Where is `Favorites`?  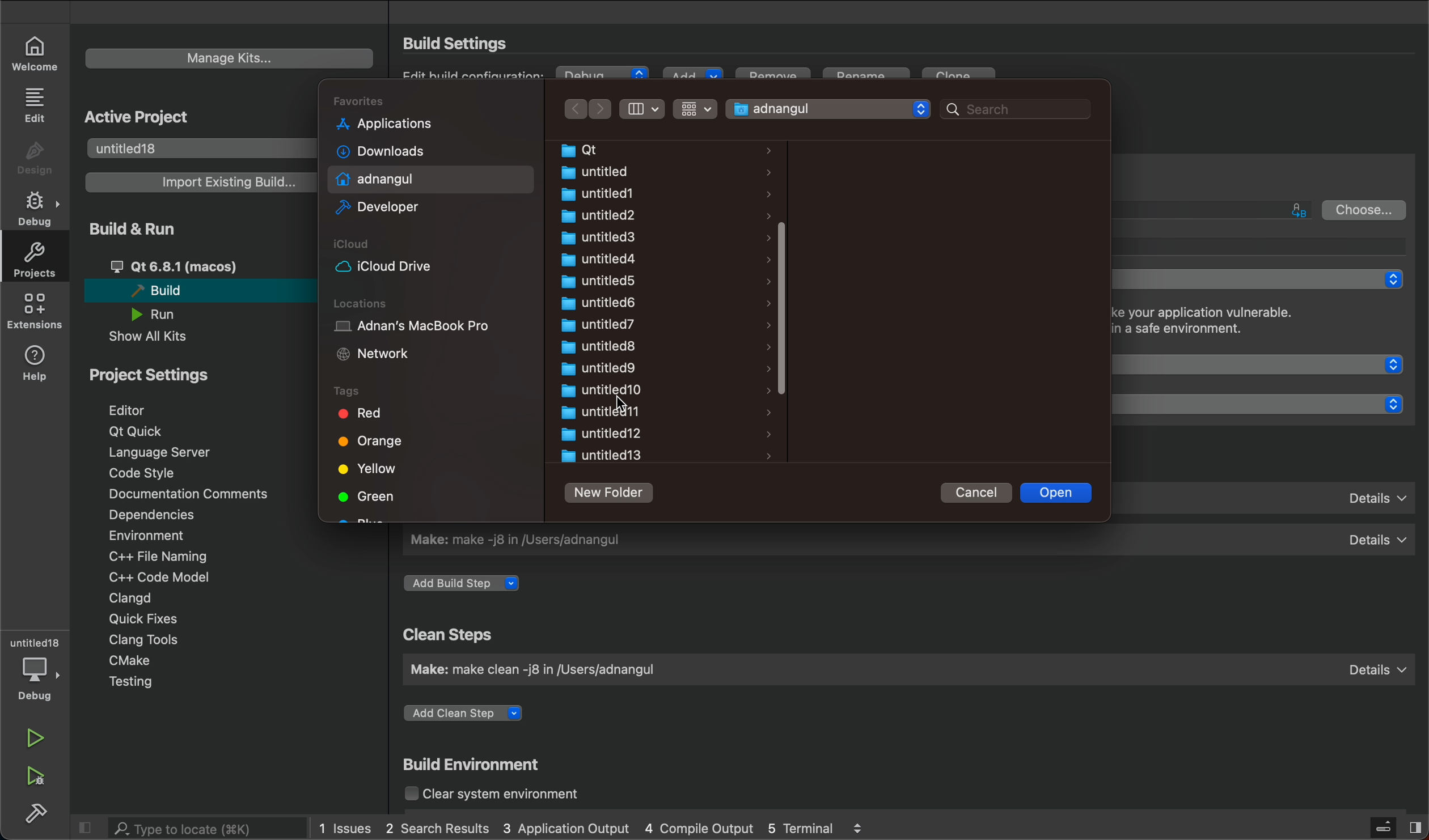
Favorites is located at coordinates (359, 99).